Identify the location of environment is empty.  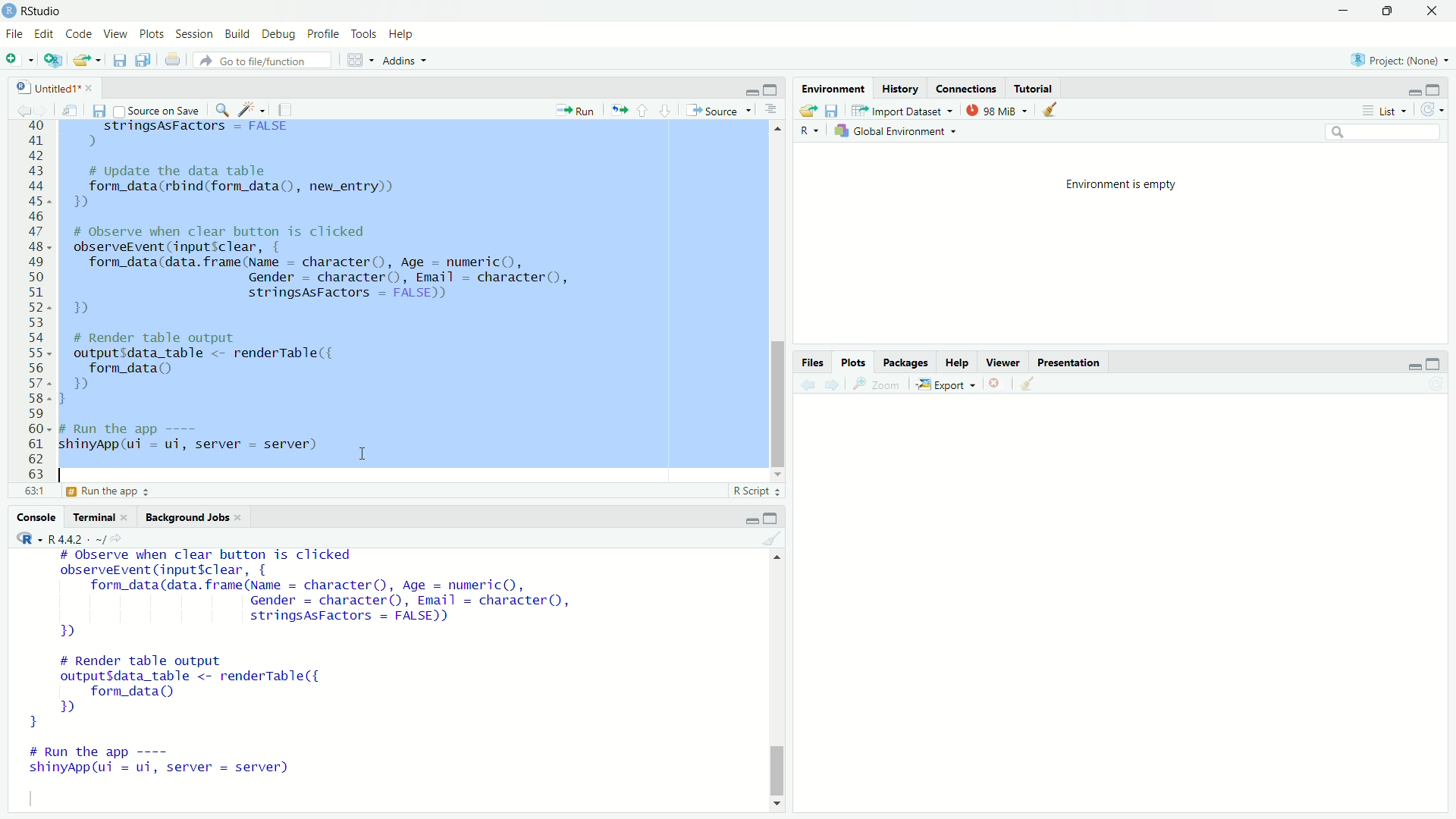
(1110, 183).